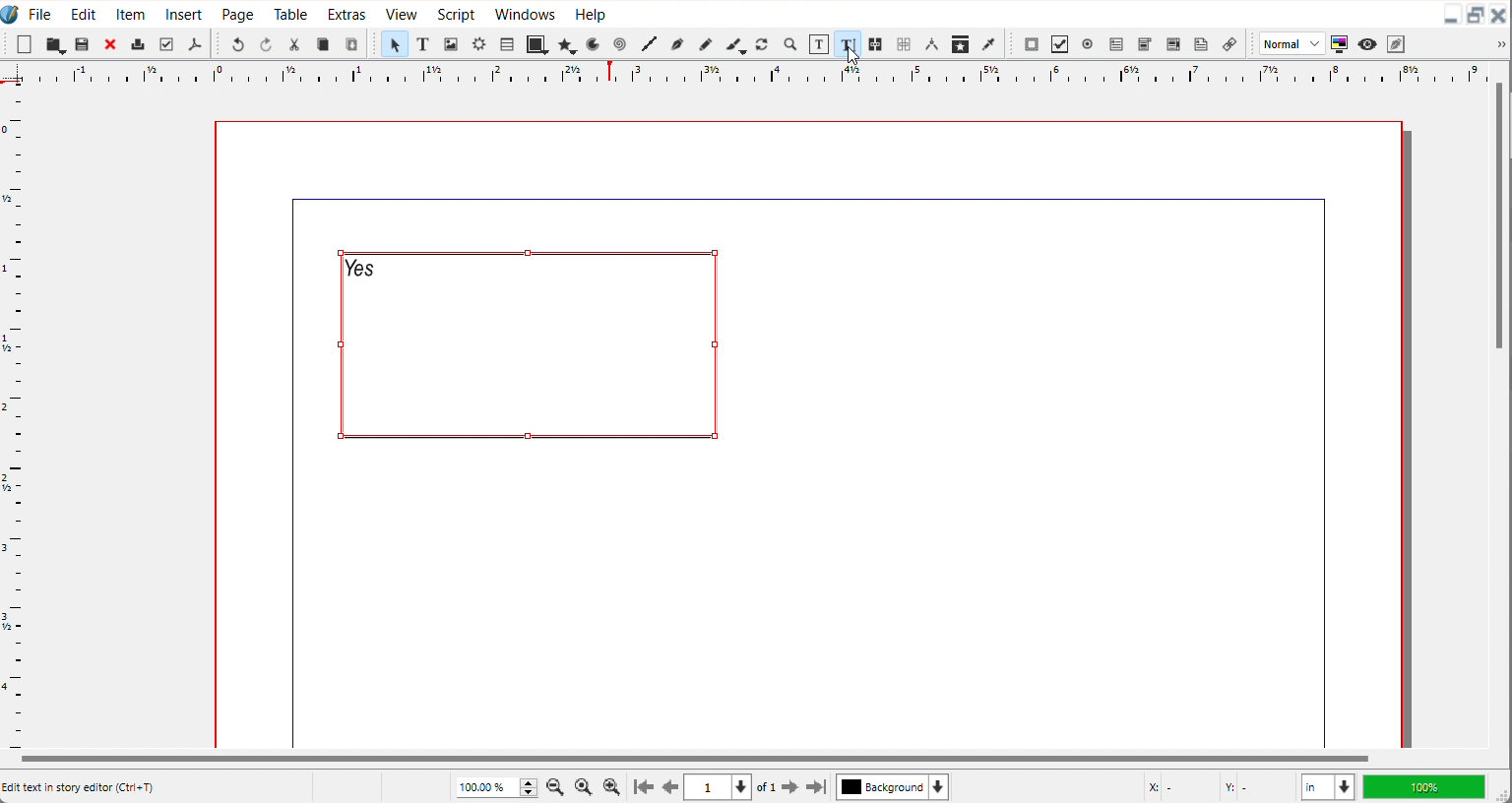 This screenshot has height=803, width=1512. What do you see at coordinates (788, 43) in the screenshot?
I see `Zoom in or out` at bounding box center [788, 43].